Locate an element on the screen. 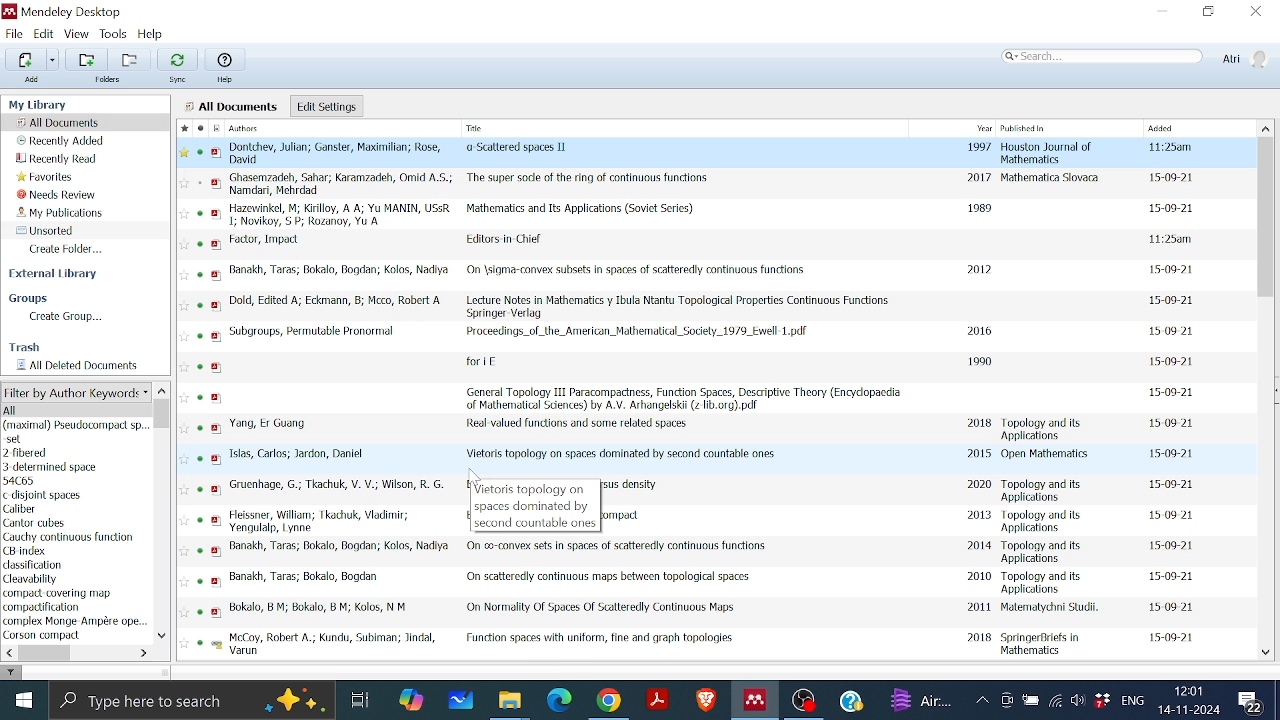  Title is located at coordinates (482, 129).